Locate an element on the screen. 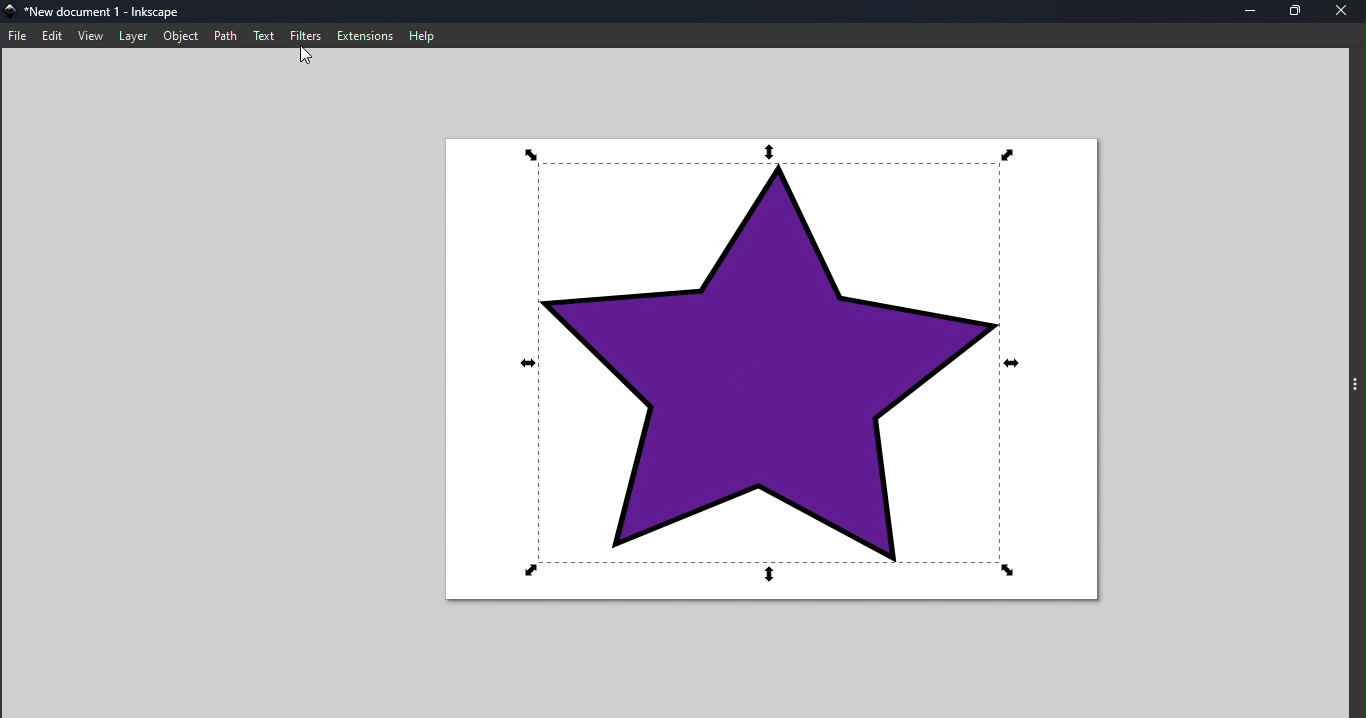  Text is located at coordinates (260, 35).